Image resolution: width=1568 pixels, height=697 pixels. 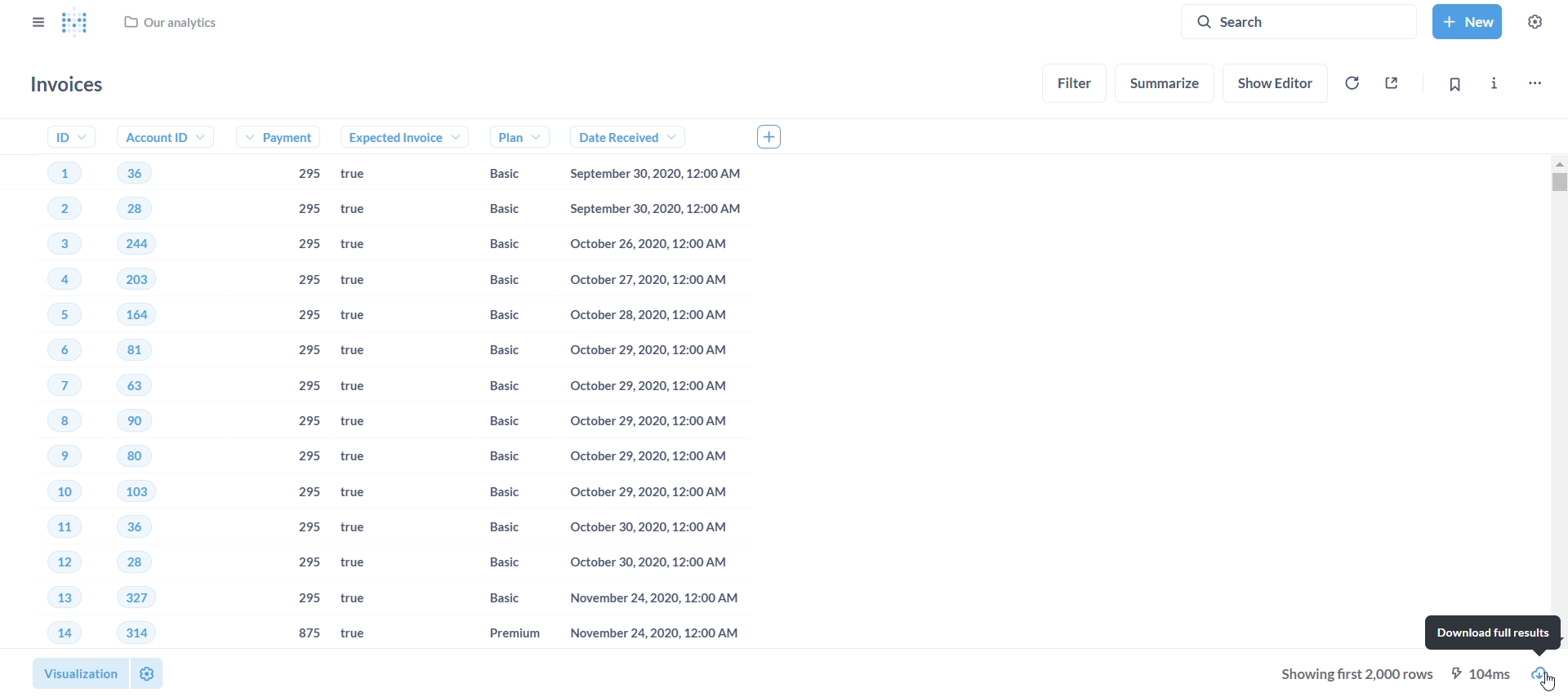 I want to click on 295, so click(x=308, y=245).